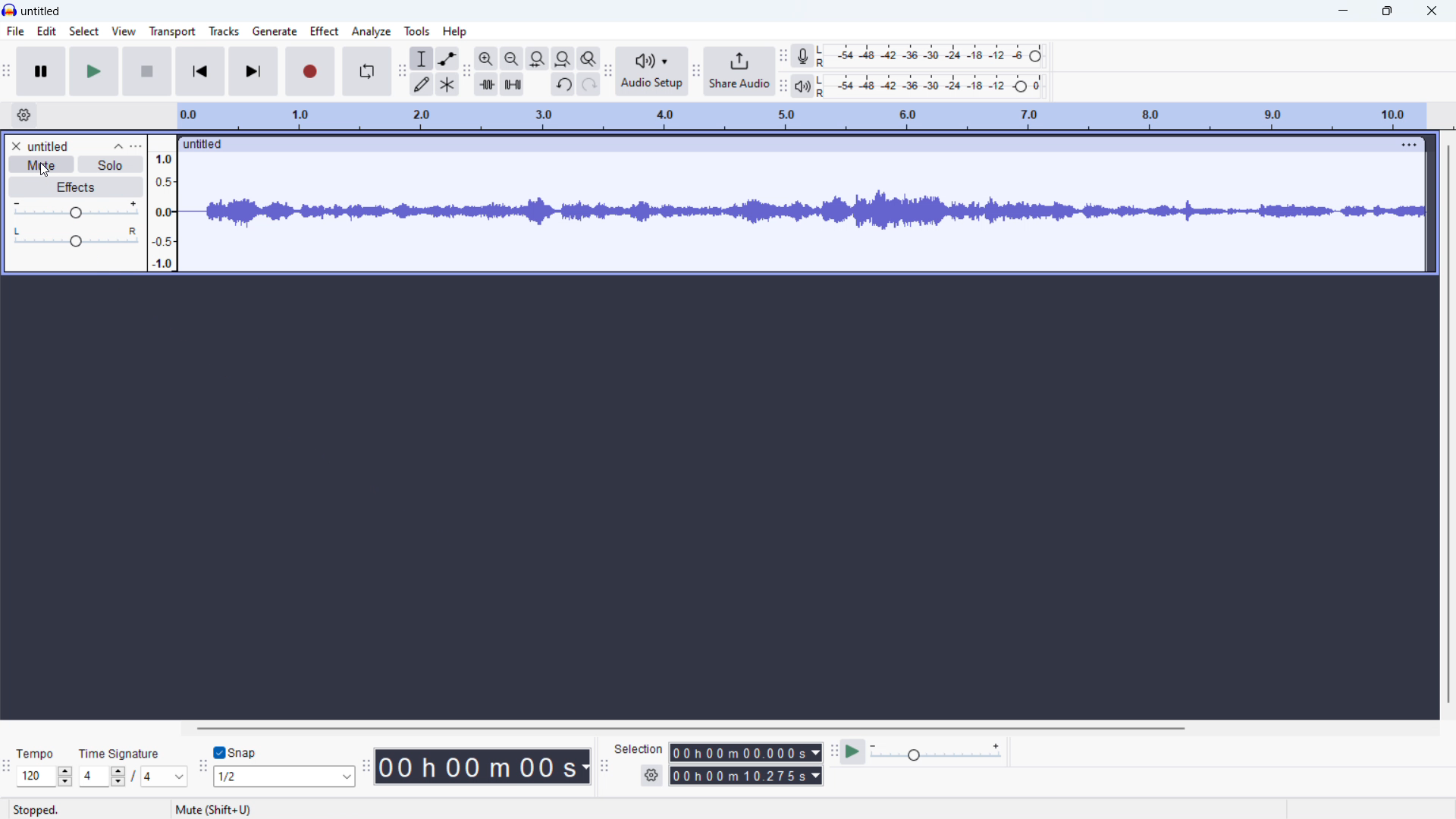 The height and width of the screenshot is (819, 1456). What do you see at coordinates (253, 71) in the screenshot?
I see `skip to end` at bounding box center [253, 71].